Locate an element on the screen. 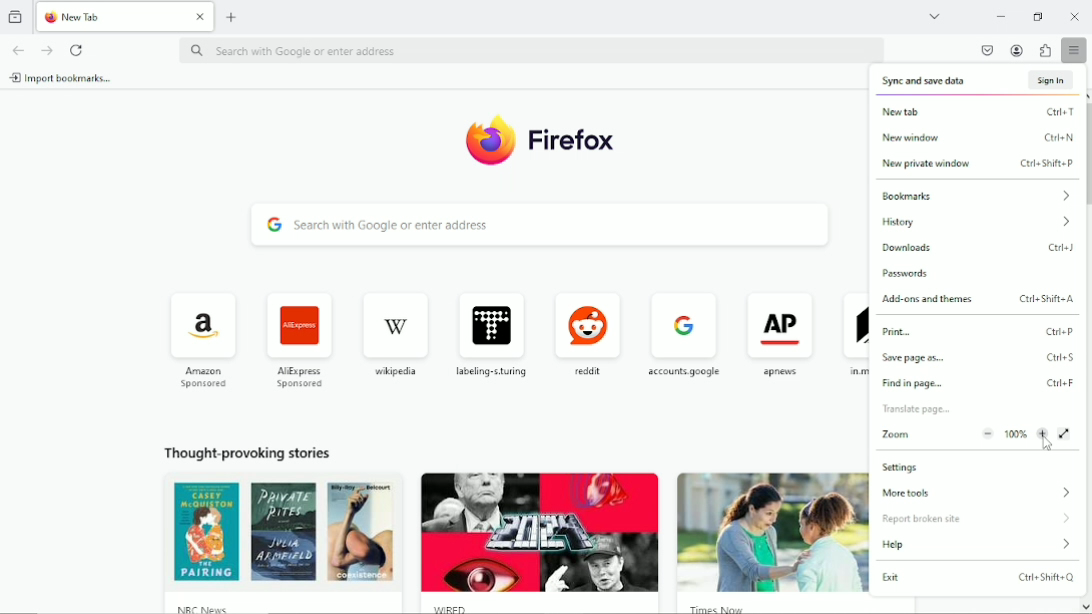 Image resolution: width=1092 pixels, height=614 pixels. image is located at coordinates (275, 535).